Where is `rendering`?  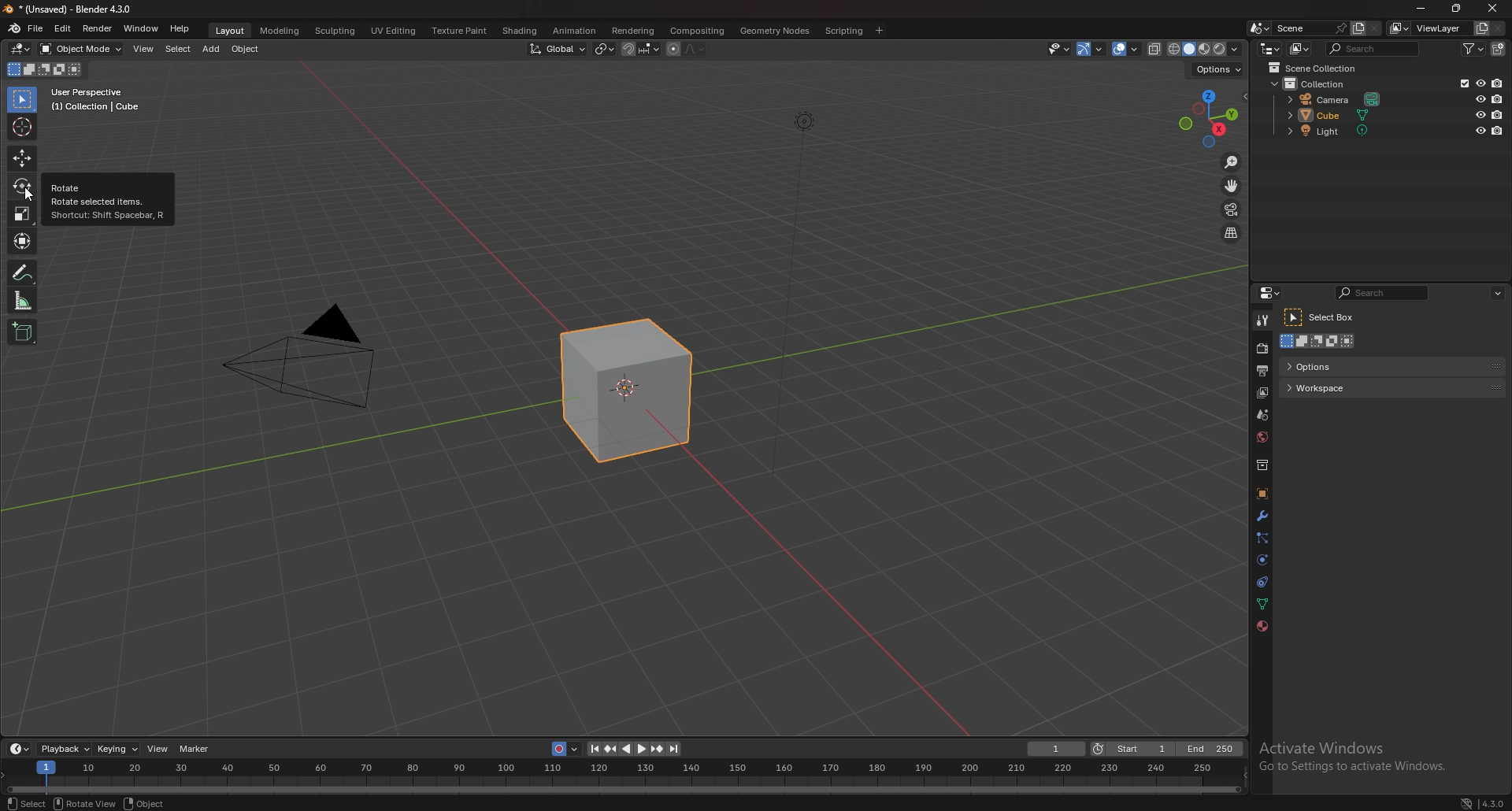 rendering is located at coordinates (632, 30).